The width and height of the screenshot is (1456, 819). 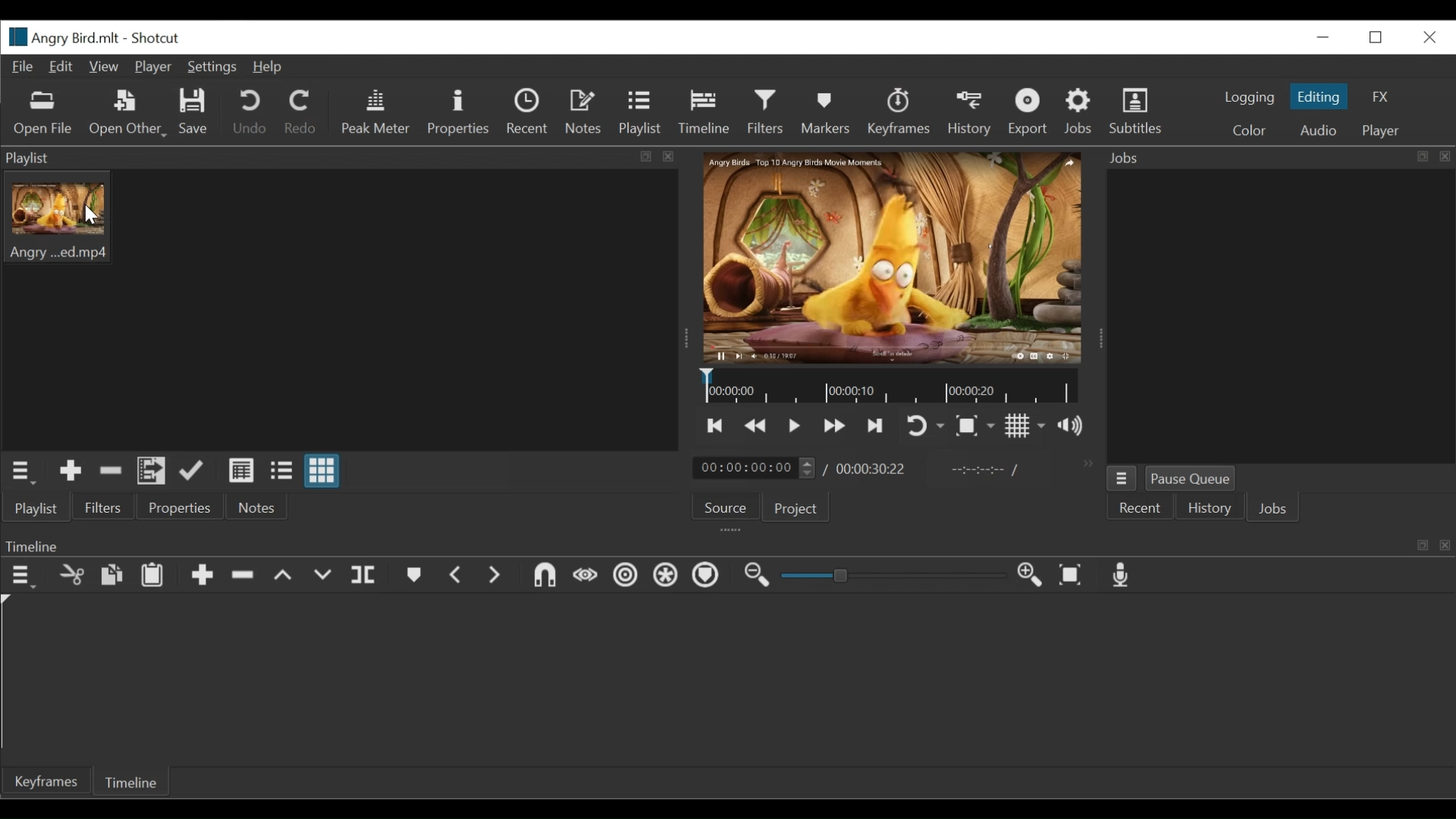 What do you see at coordinates (107, 221) in the screenshot?
I see `cursor` at bounding box center [107, 221].